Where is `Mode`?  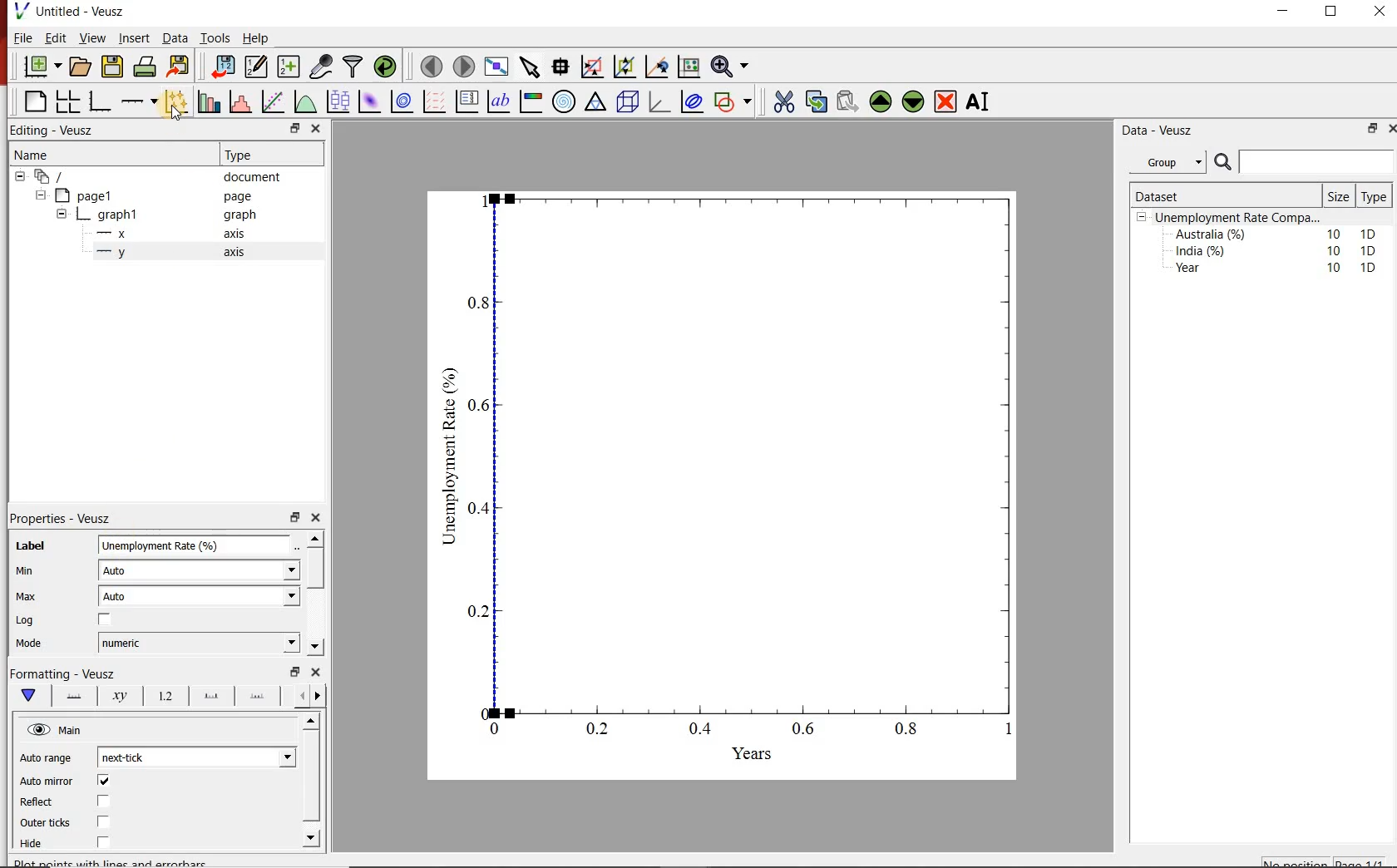
Mode is located at coordinates (41, 645).